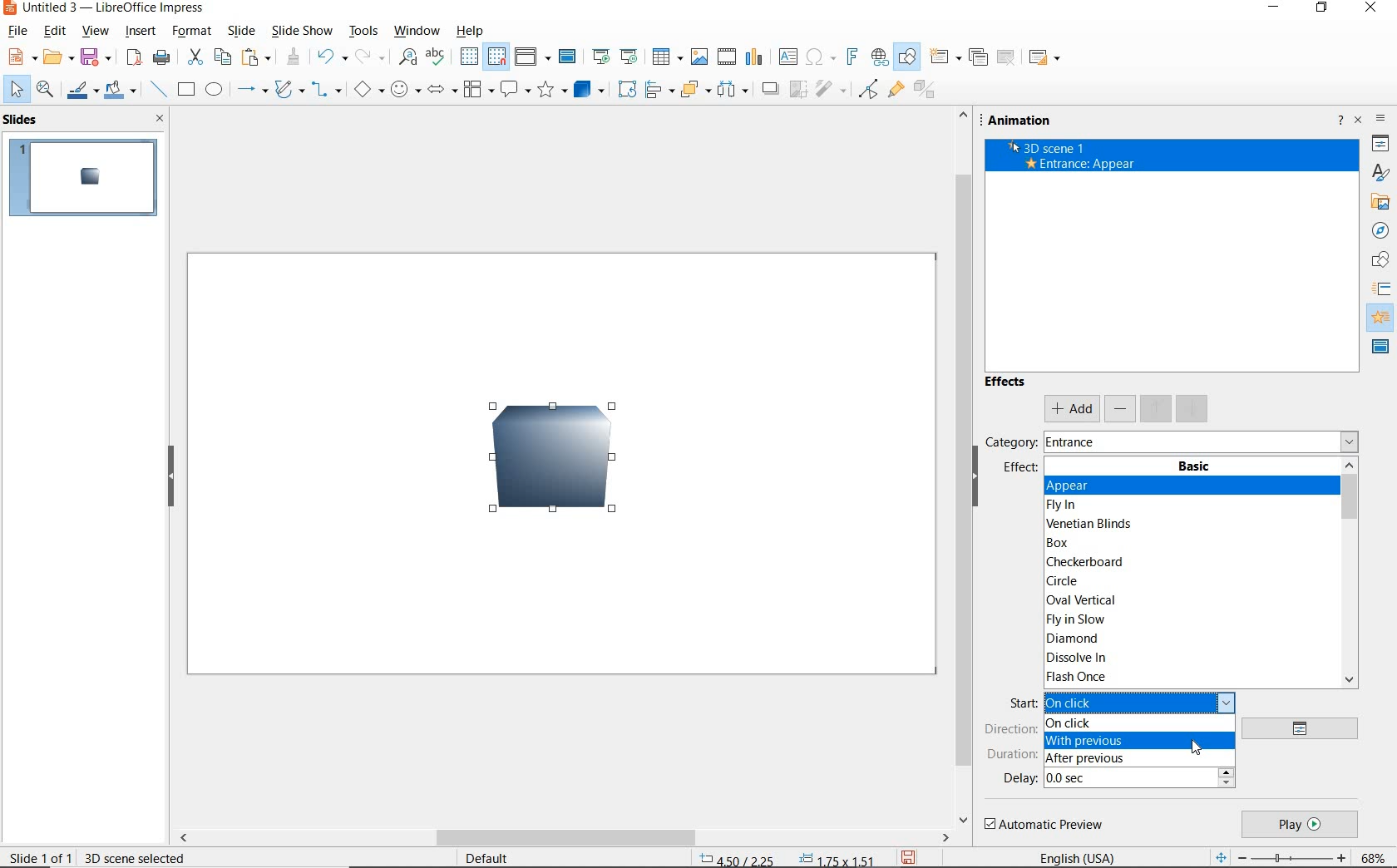 The width and height of the screenshot is (1397, 868). What do you see at coordinates (818, 57) in the screenshot?
I see `insert special characters` at bounding box center [818, 57].